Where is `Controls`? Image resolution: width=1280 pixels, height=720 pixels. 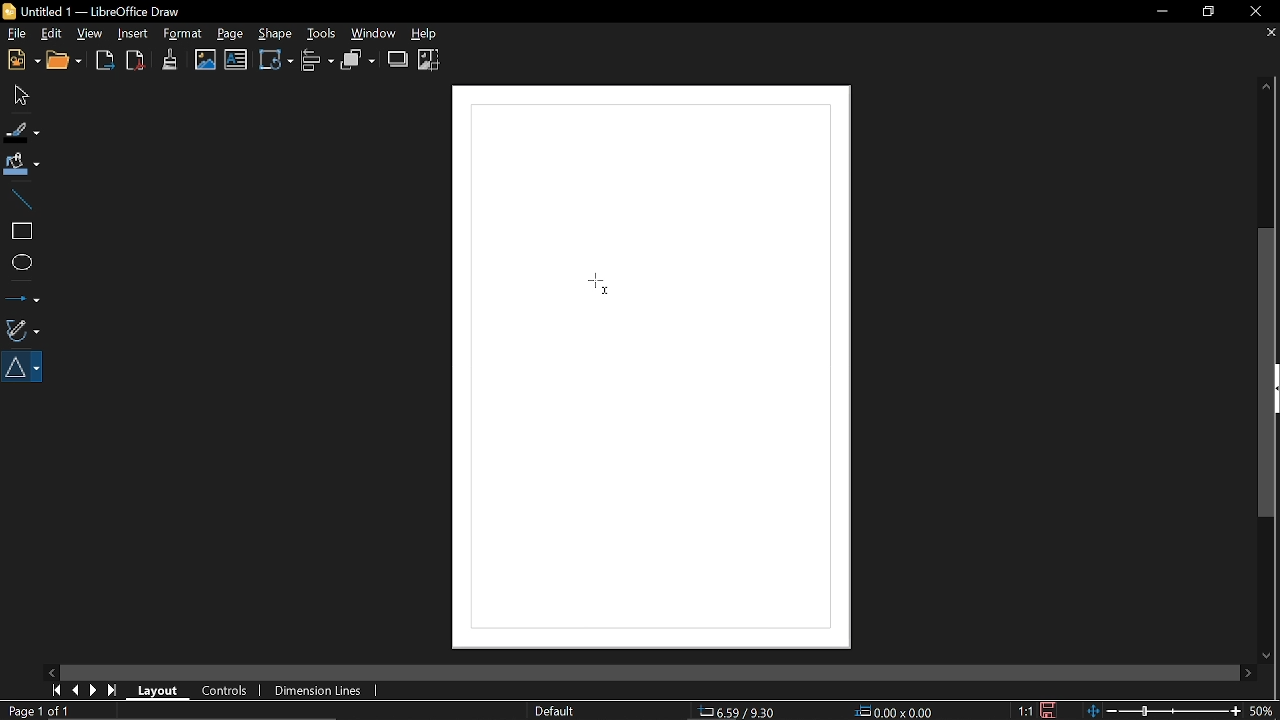 Controls is located at coordinates (225, 692).